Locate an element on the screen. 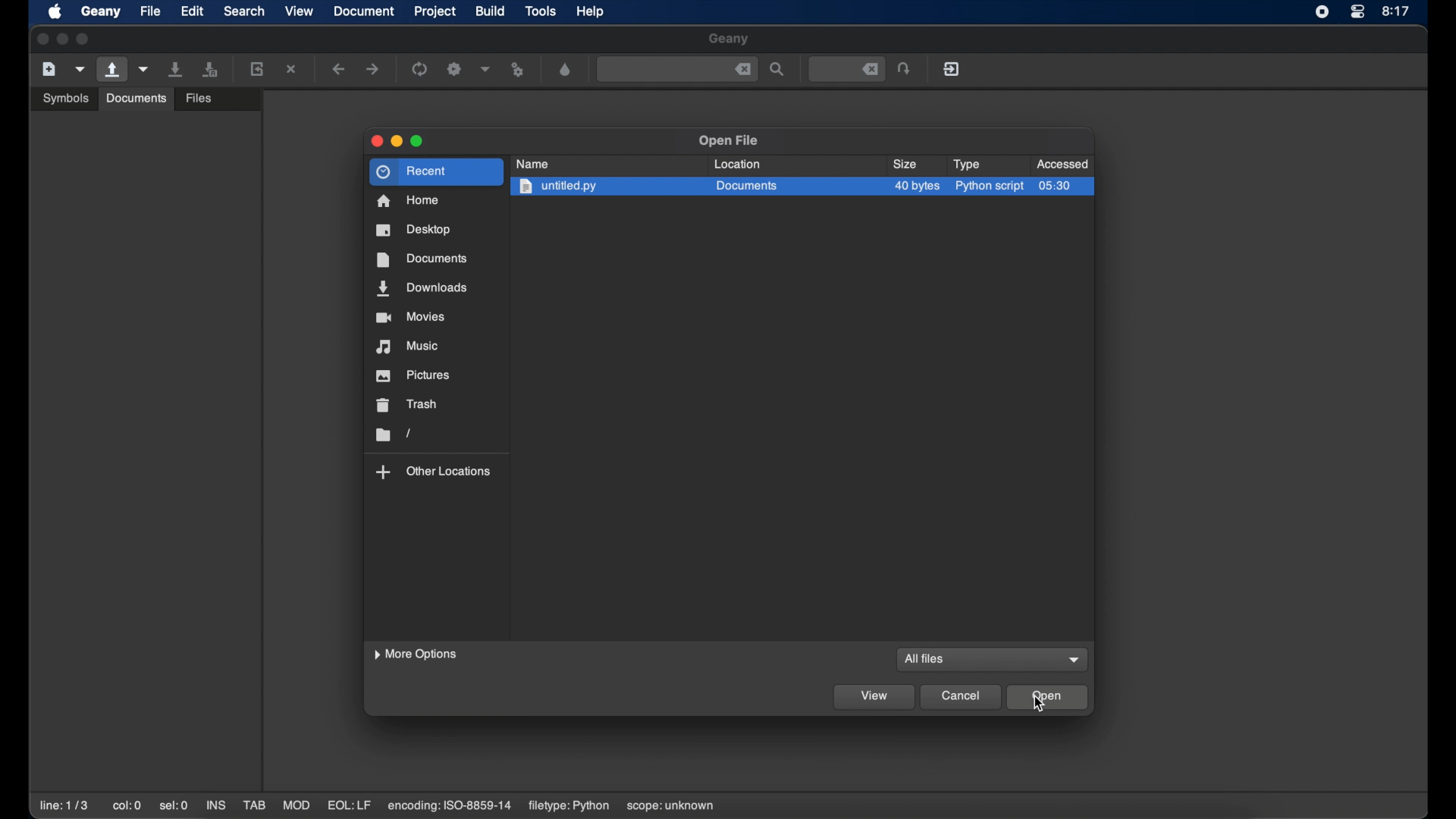 The width and height of the screenshot is (1456, 819). edit is located at coordinates (191, 11).